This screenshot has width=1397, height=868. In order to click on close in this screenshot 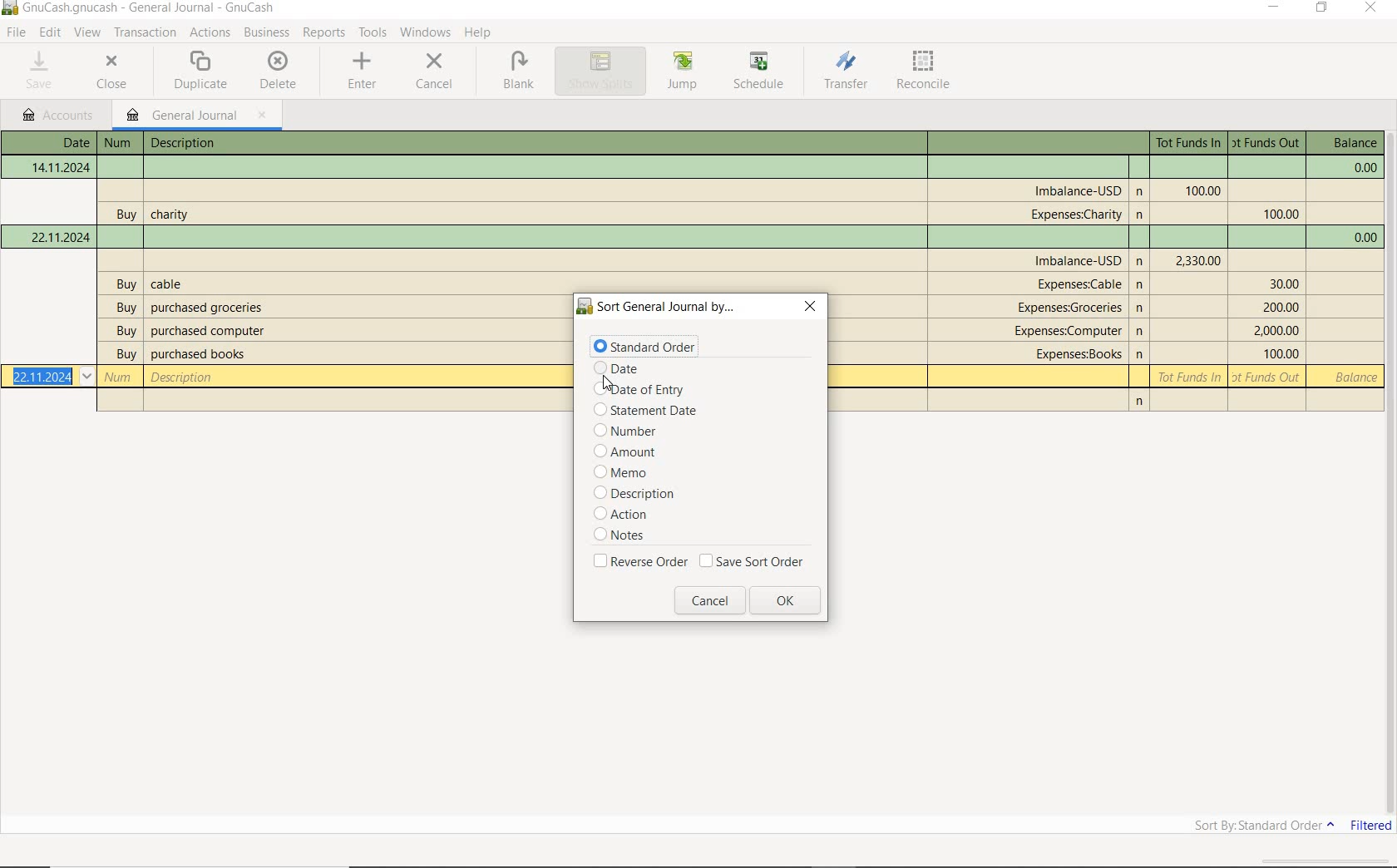, I will do `click(812, 307)`.